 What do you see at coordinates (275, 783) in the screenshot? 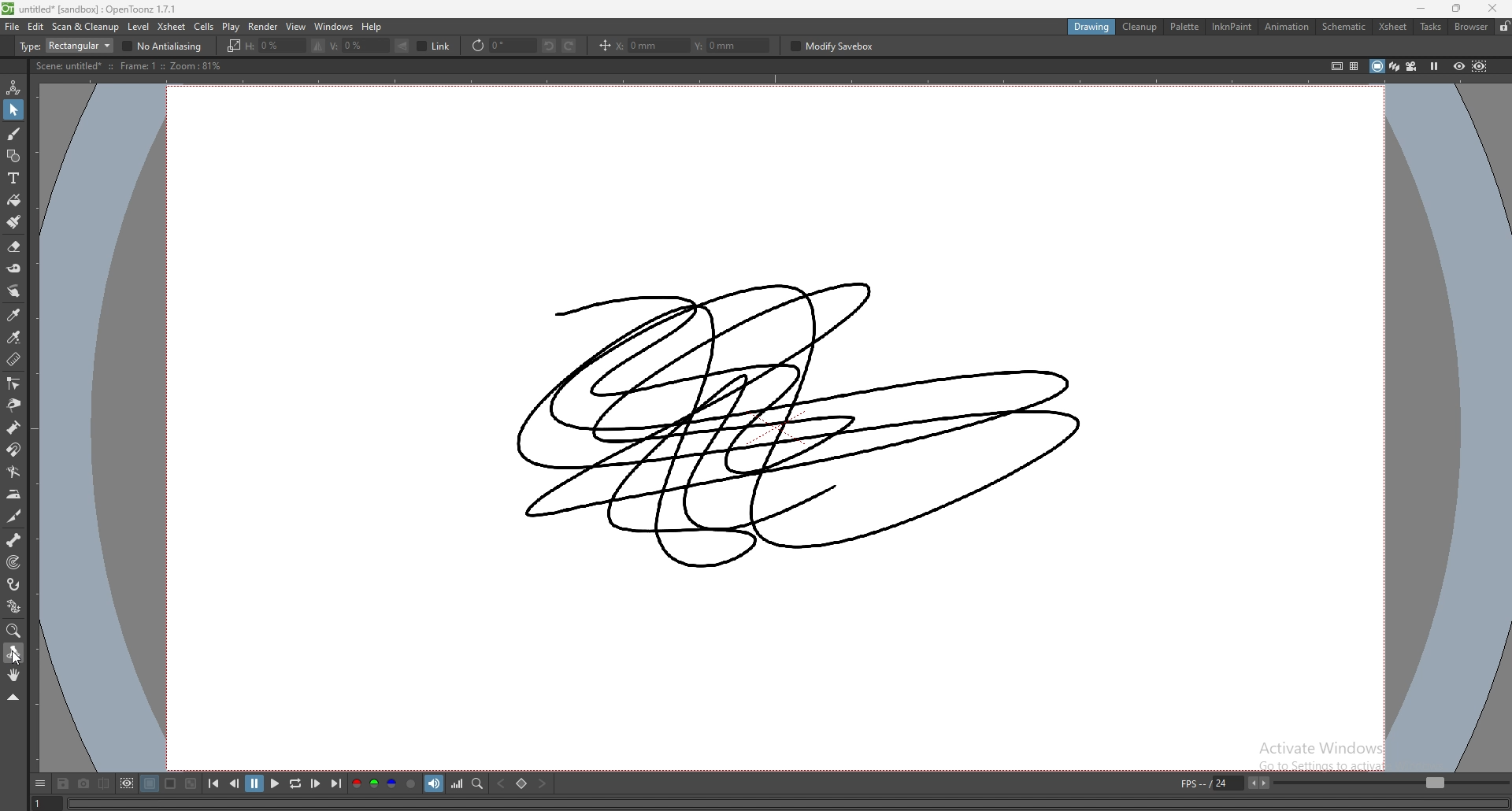
I see `play` at bounding box center [275, 783].